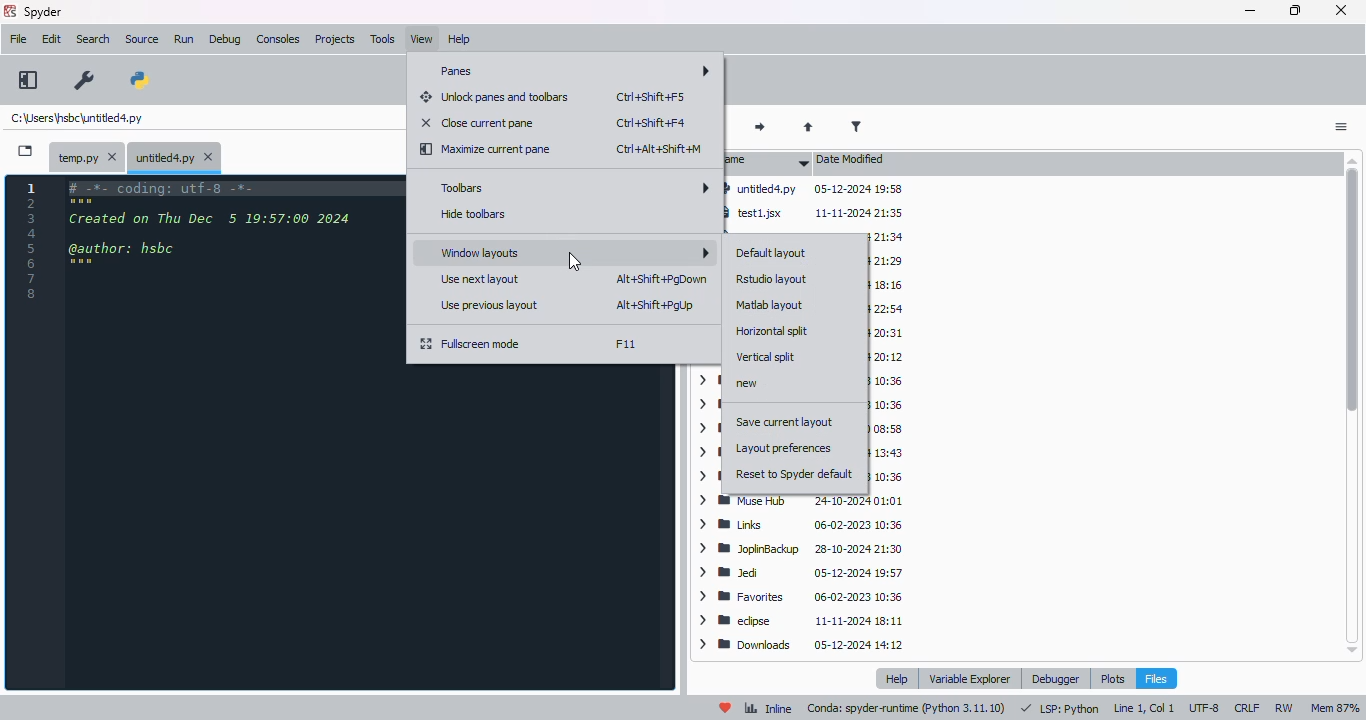 The width and height of the screenshot is (1366, 720). What do you see at coordinates (174, 158) in the screenshot?
I see `untitled4.py` at bounding box center [174, 158].